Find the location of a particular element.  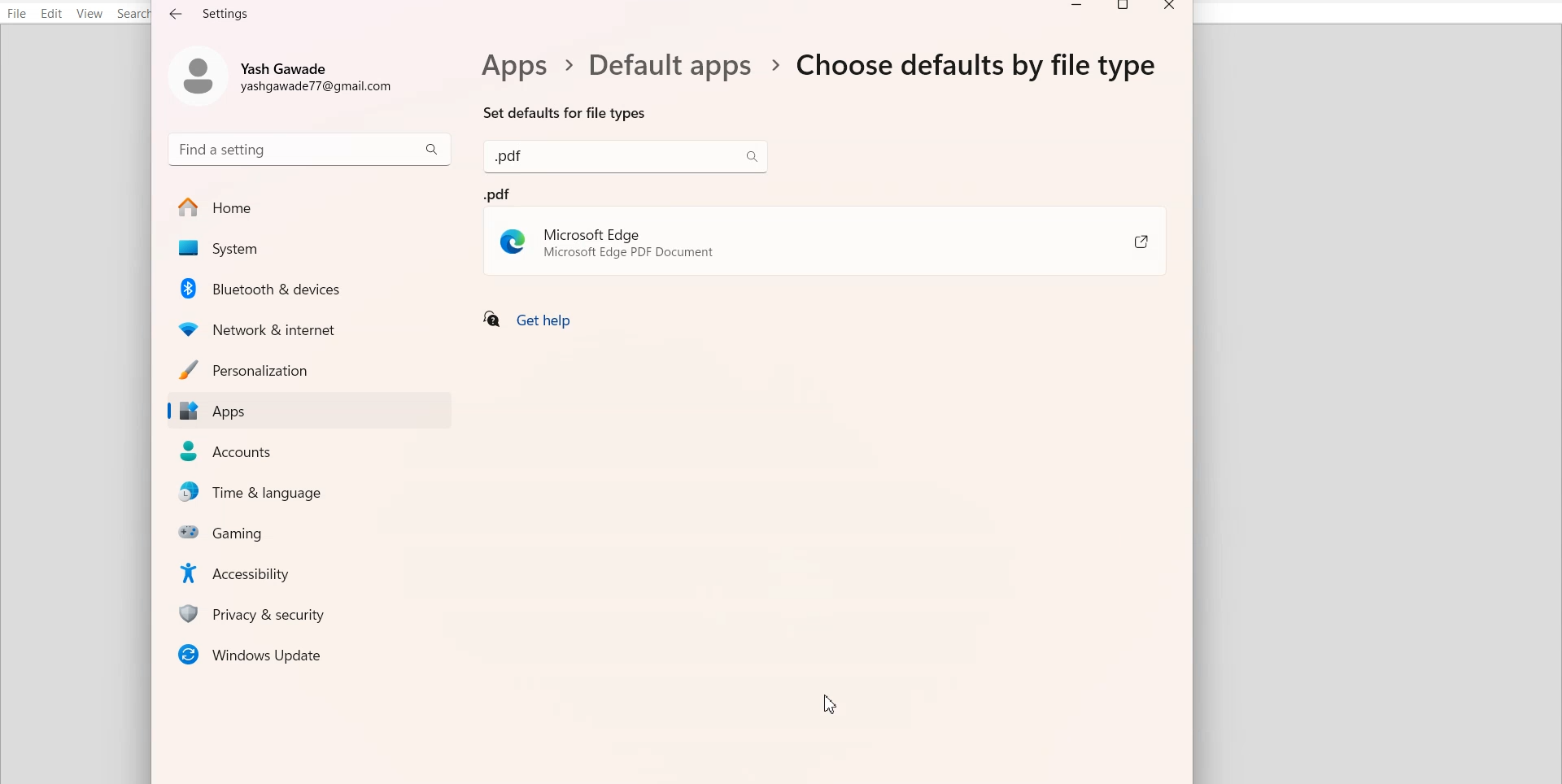

Bluetooth & Devices is located at coordinates (312, 288).